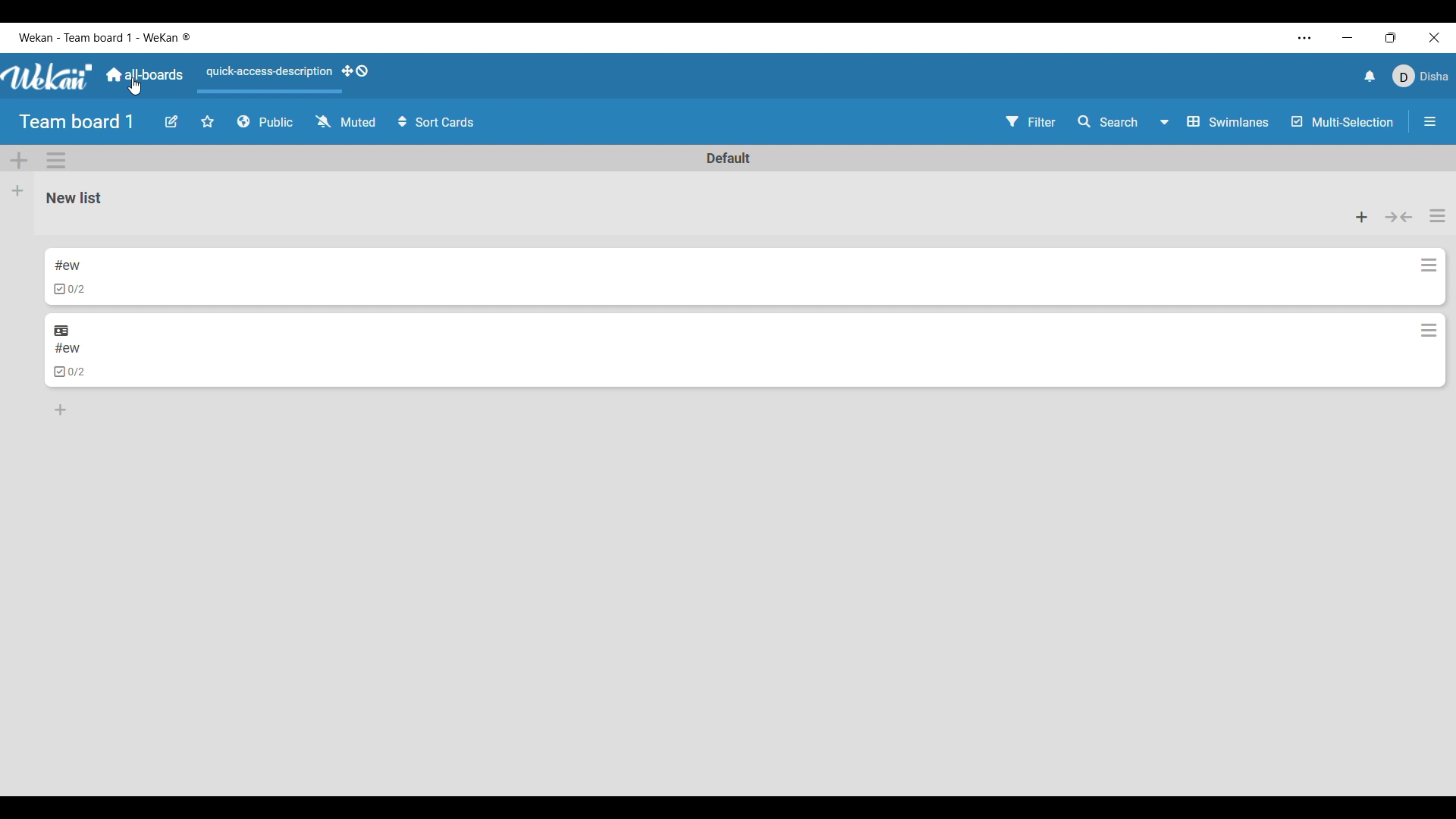 This screenshot has width=1456, height=819. I want to click on Show interface in smaller tab, so click(1391, 38).